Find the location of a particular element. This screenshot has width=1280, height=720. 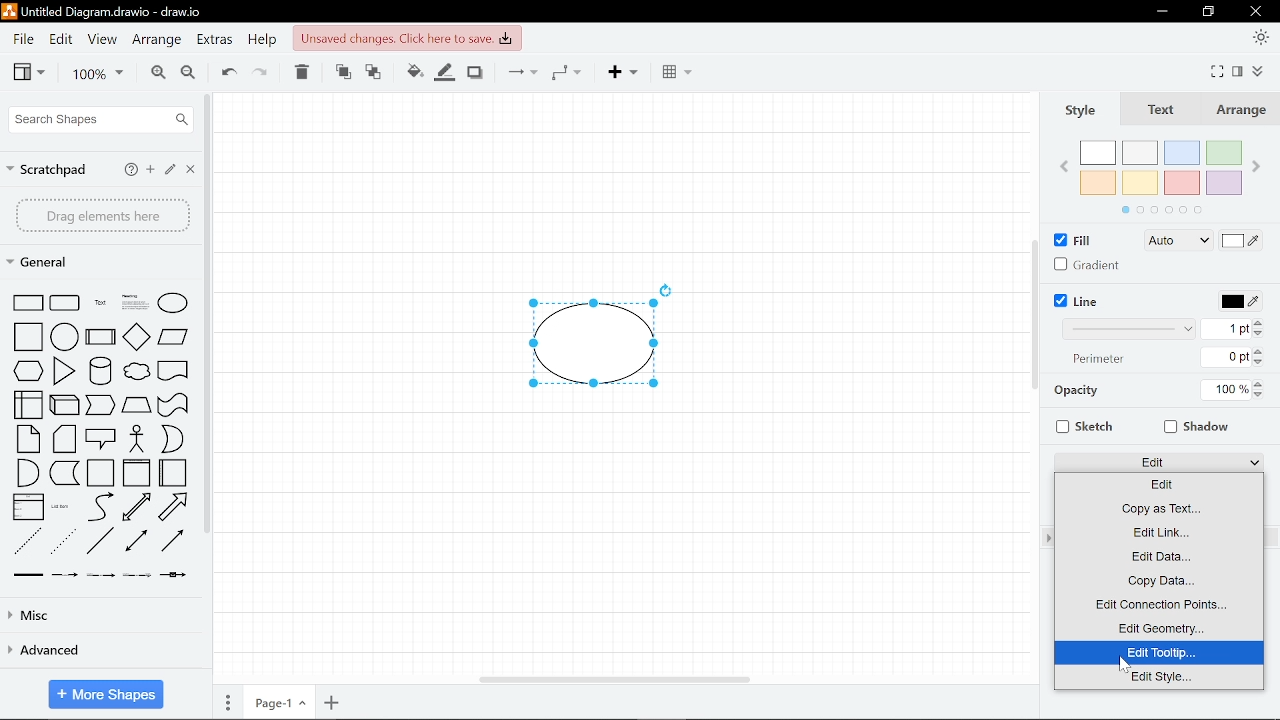

dotted line is located at coordinates (63, 540).